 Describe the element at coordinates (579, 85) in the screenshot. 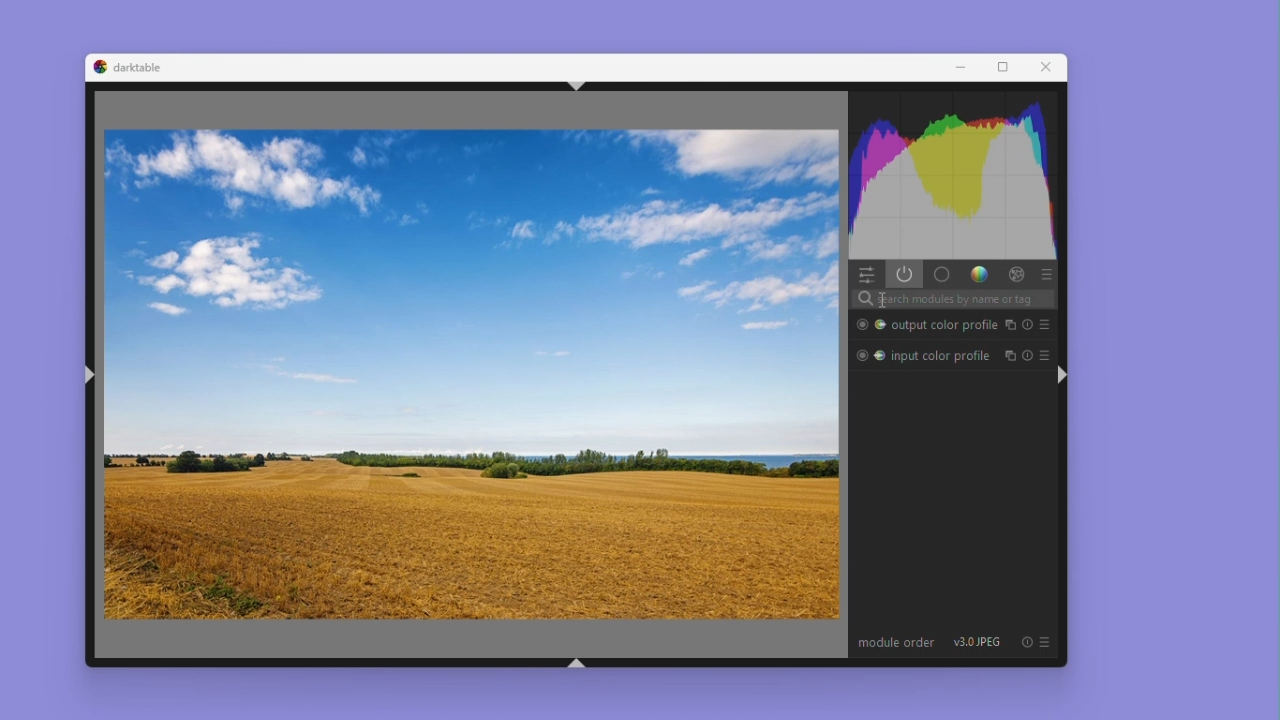

I see `shift+ctrl+t` at that location.